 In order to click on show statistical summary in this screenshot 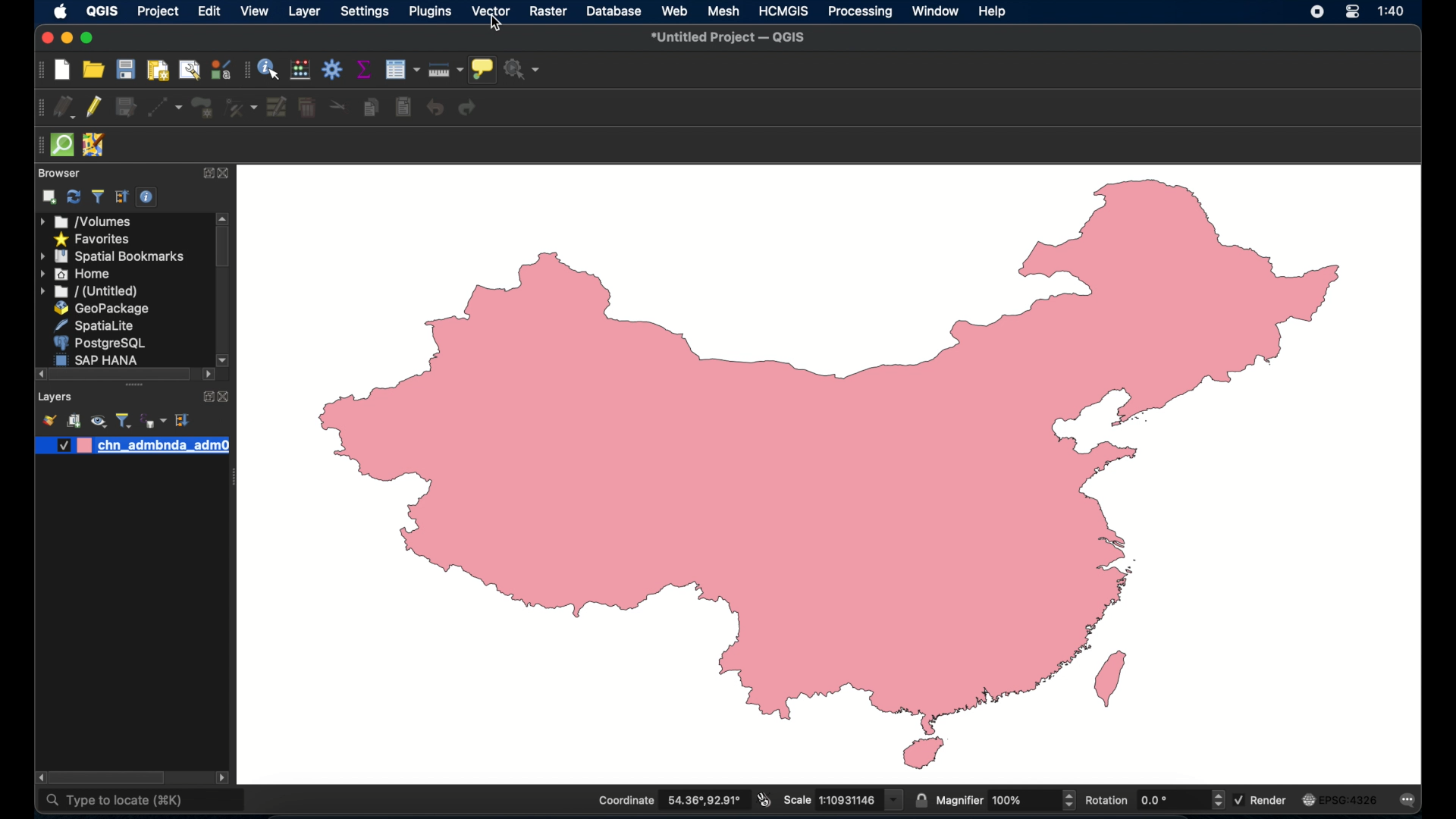, I will do `click(362, 68)`.